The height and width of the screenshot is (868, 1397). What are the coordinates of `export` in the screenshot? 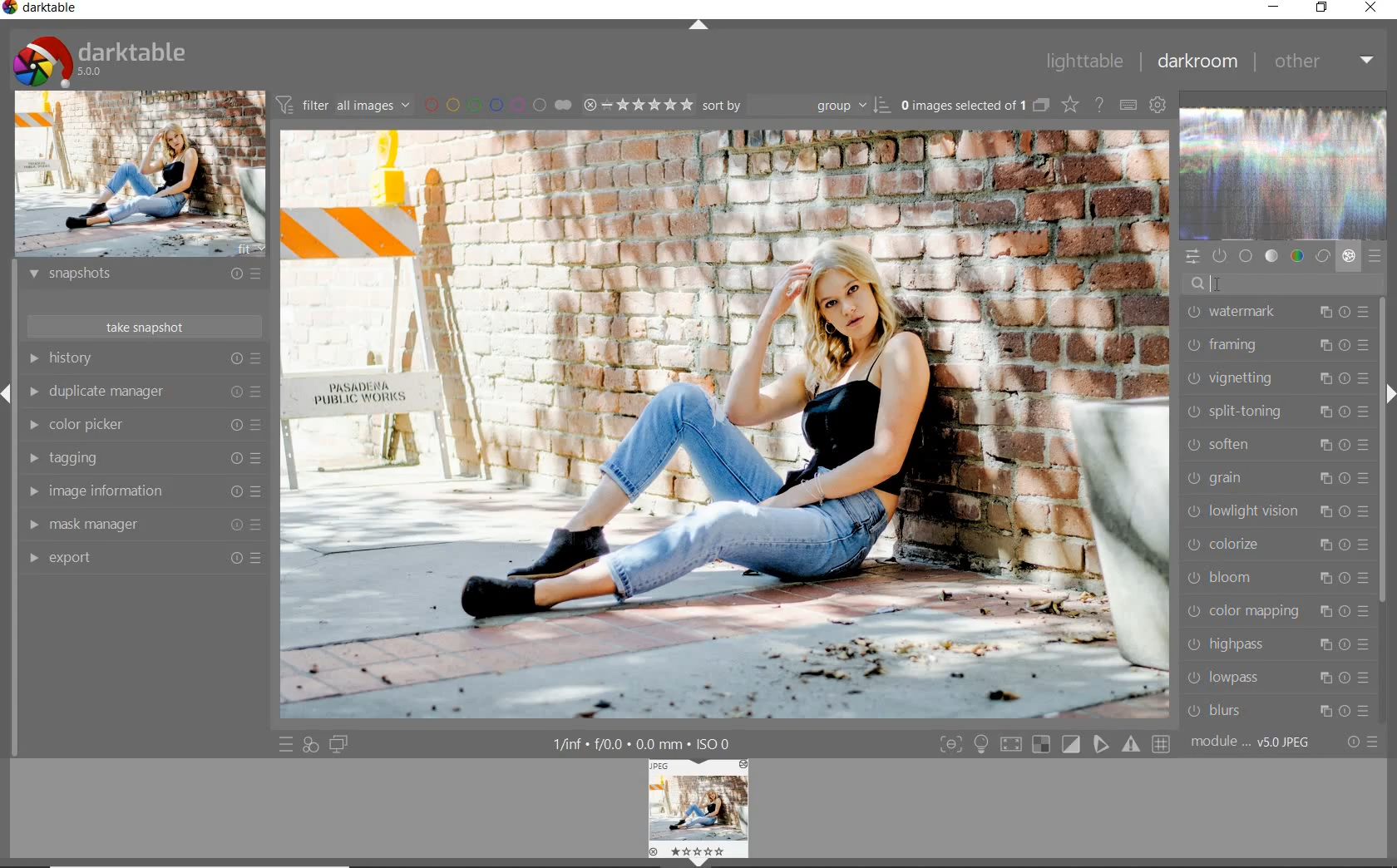 It's located at (141, 557).